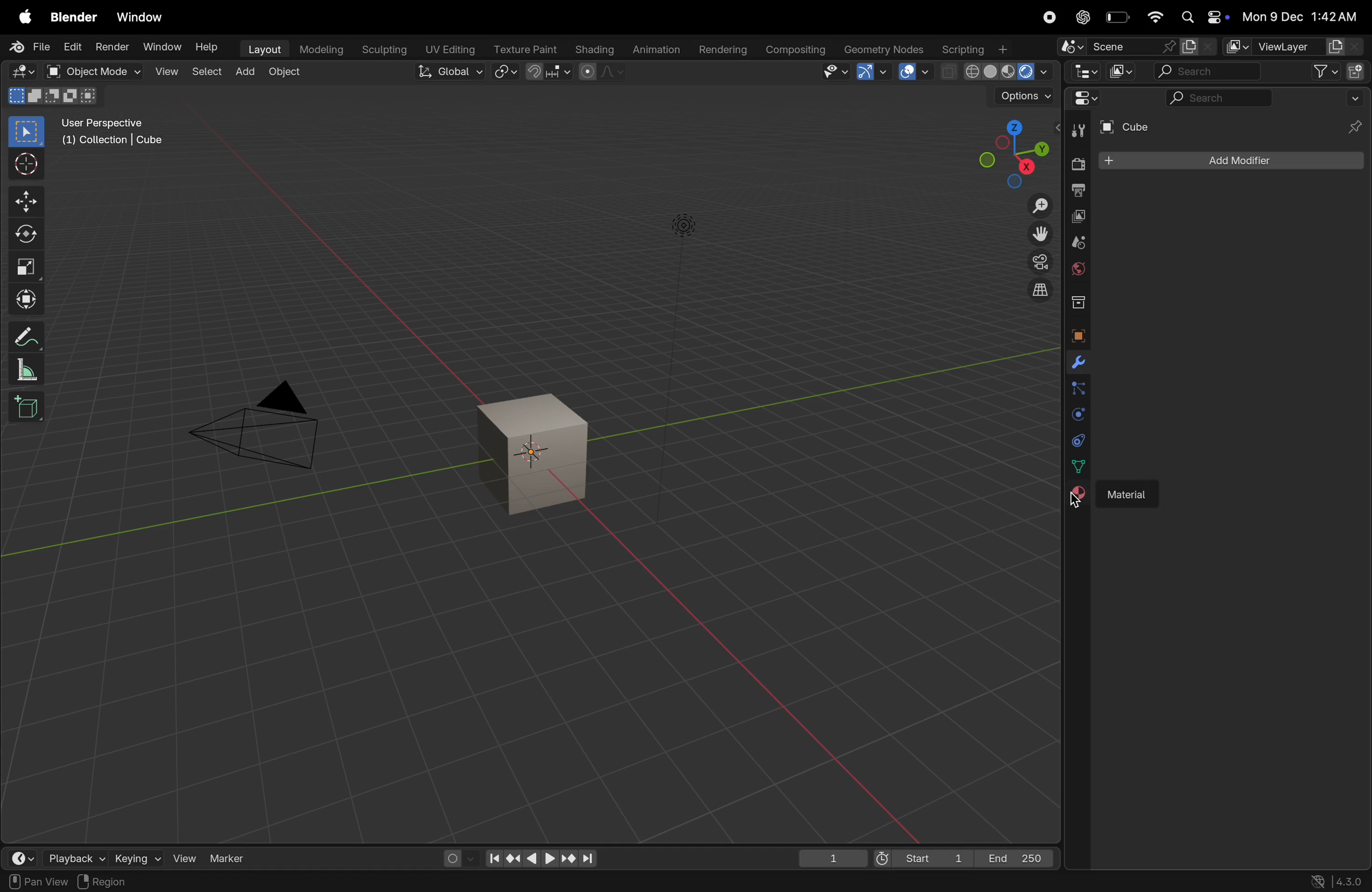  What do you see at coordinates (1319, 71) in the screenshot?
I see `filter` at bounding box center [1319, 71].